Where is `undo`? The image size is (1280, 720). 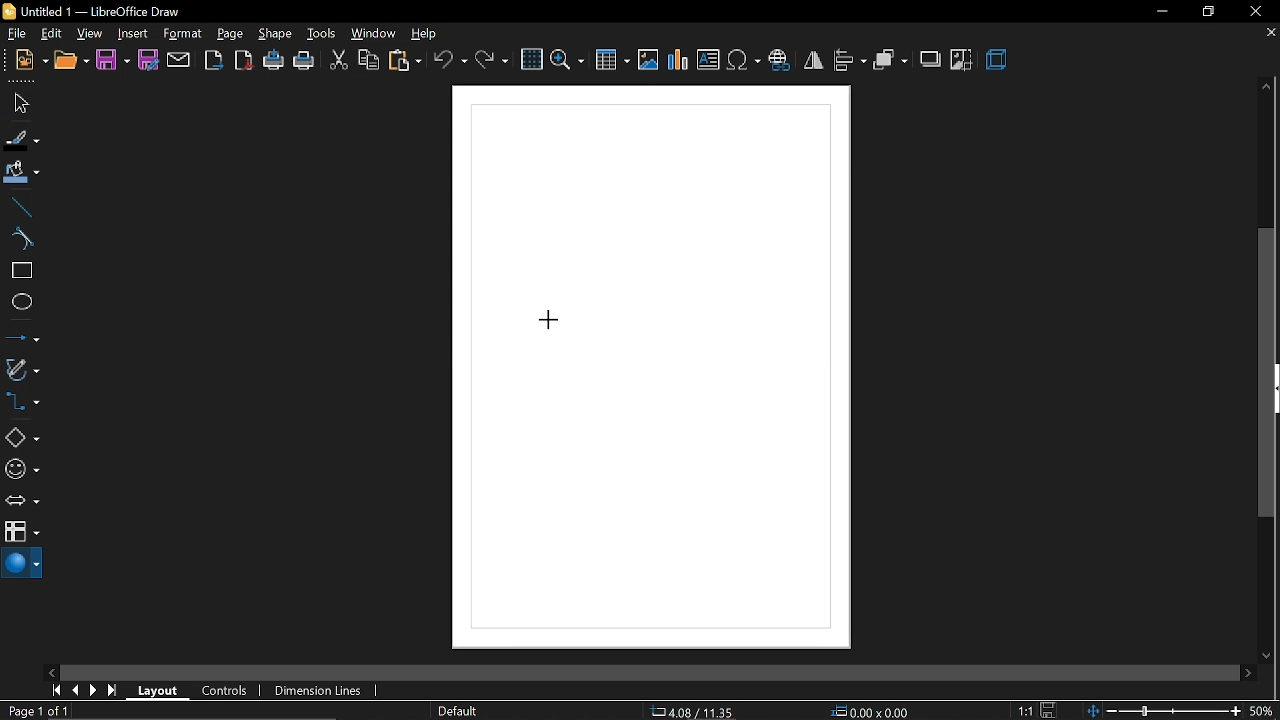
undo is located at coordinates (450, 59).